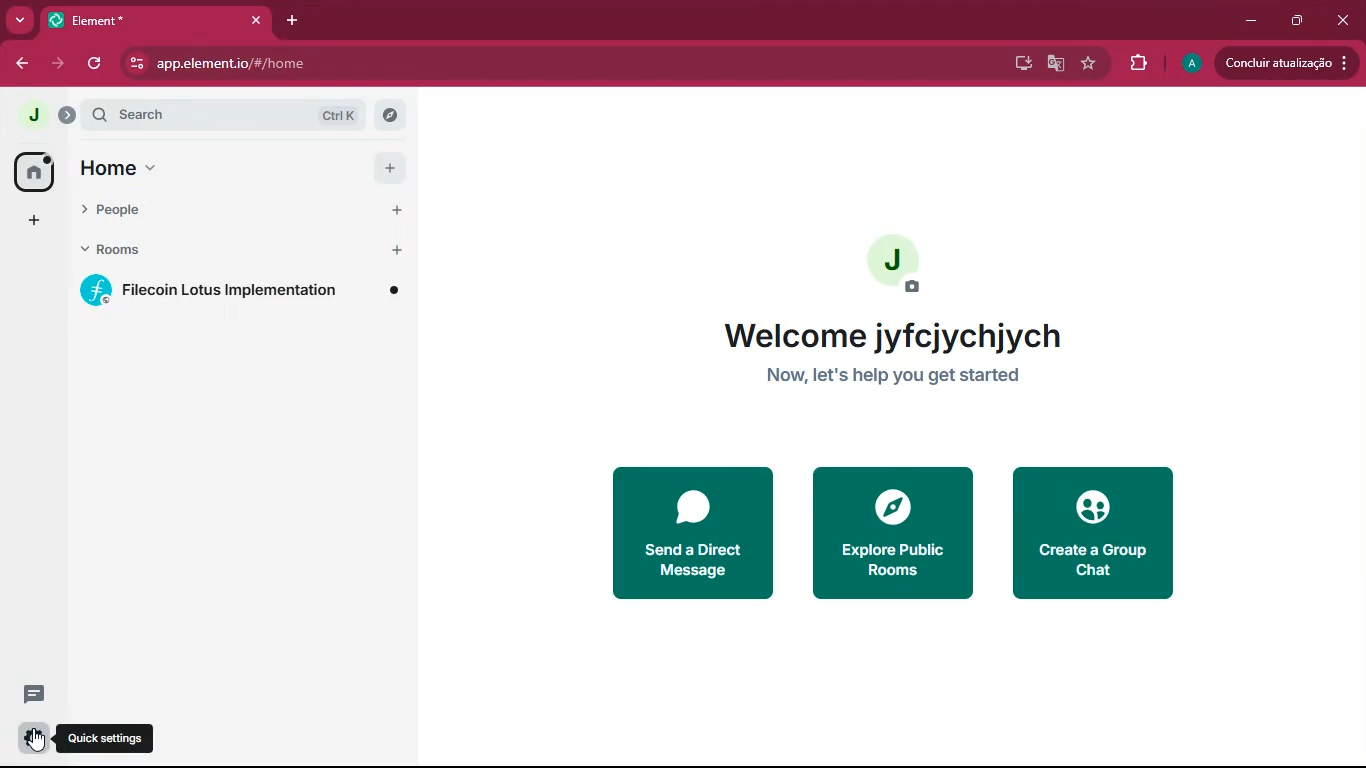 The width and height of the screenshot is (1366, 768). What do you see at coordinates (1189, 62) in the screenshot?
I see `profile` at bounding box center [1189, 62].